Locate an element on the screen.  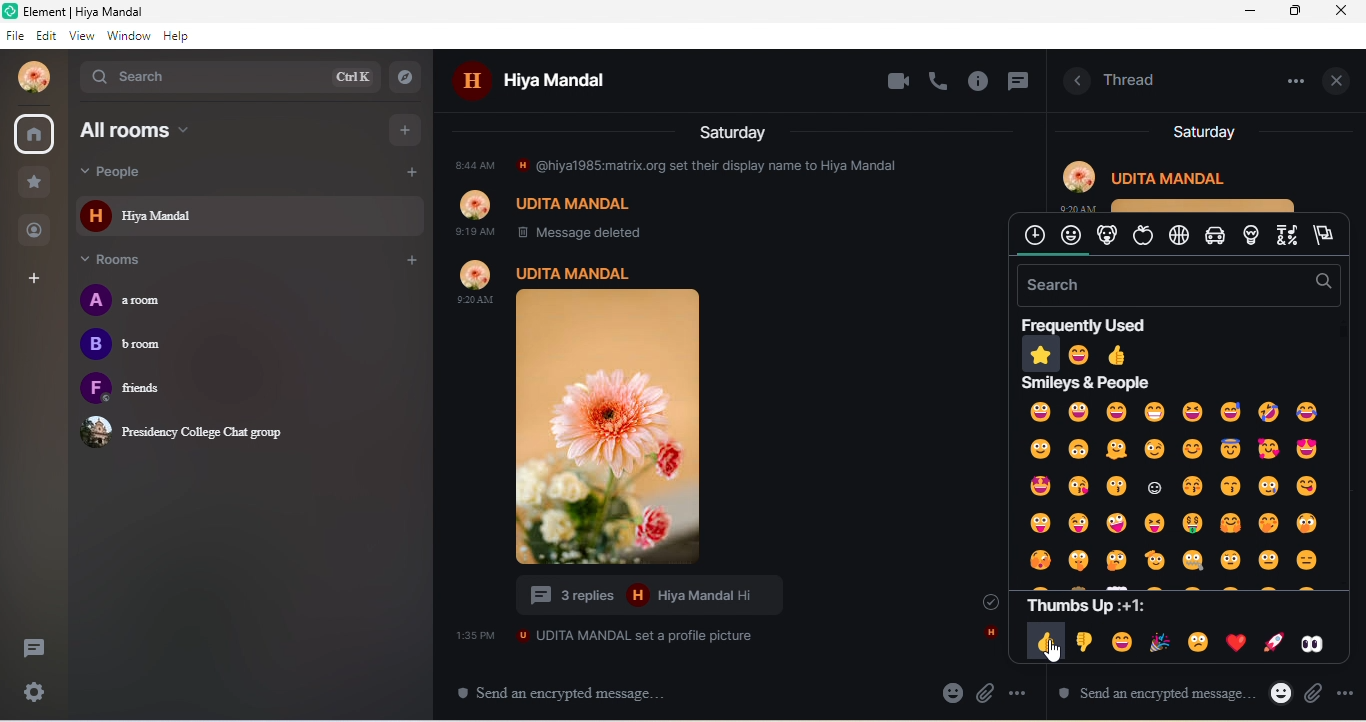
room information is located at coordinates (1072, 82).